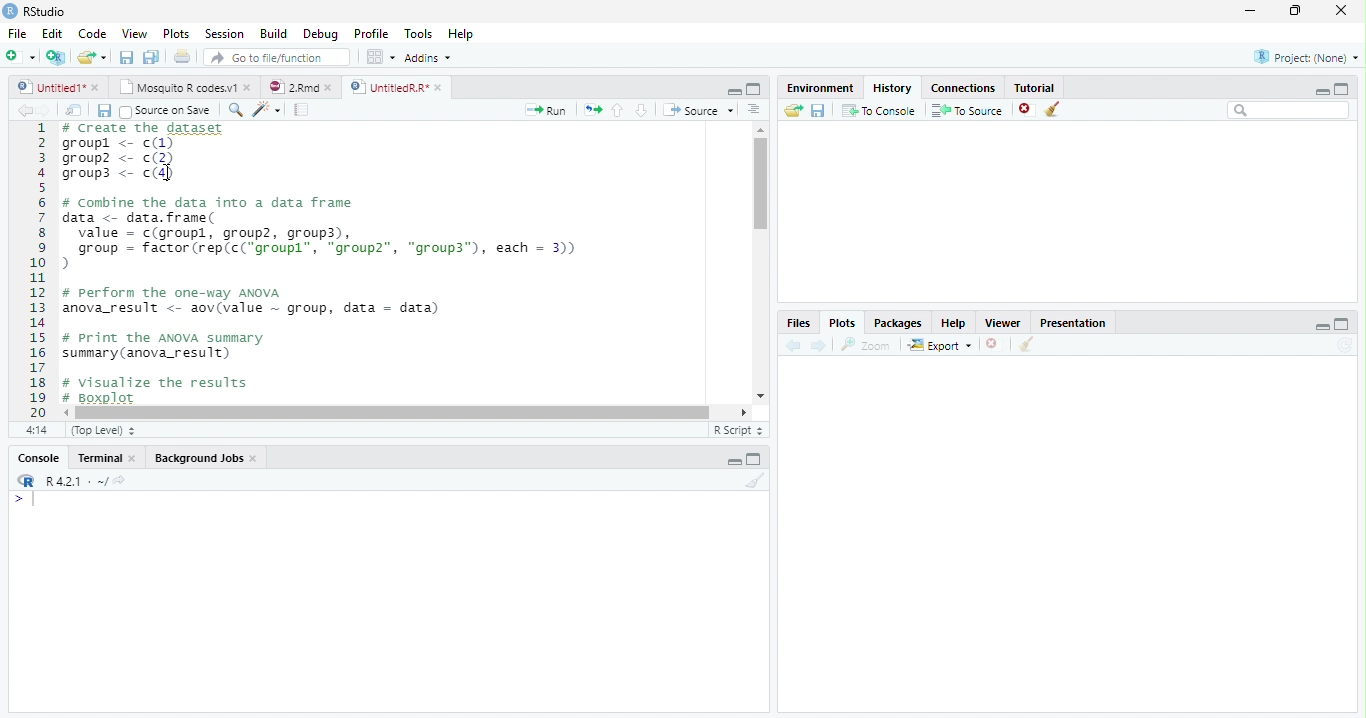 The image size is (1366, 718). I want to click on Edit, so click(51, 33).